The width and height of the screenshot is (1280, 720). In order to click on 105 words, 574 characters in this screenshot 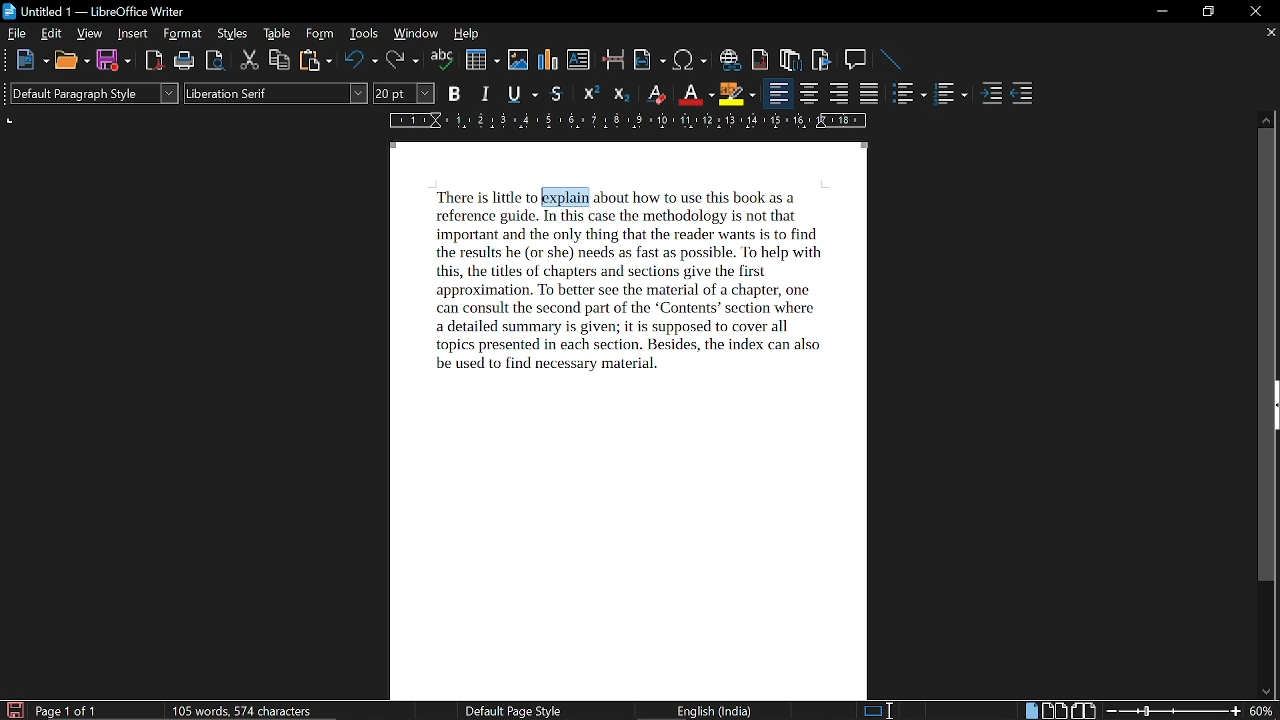, I will do `click(241, 712)`.